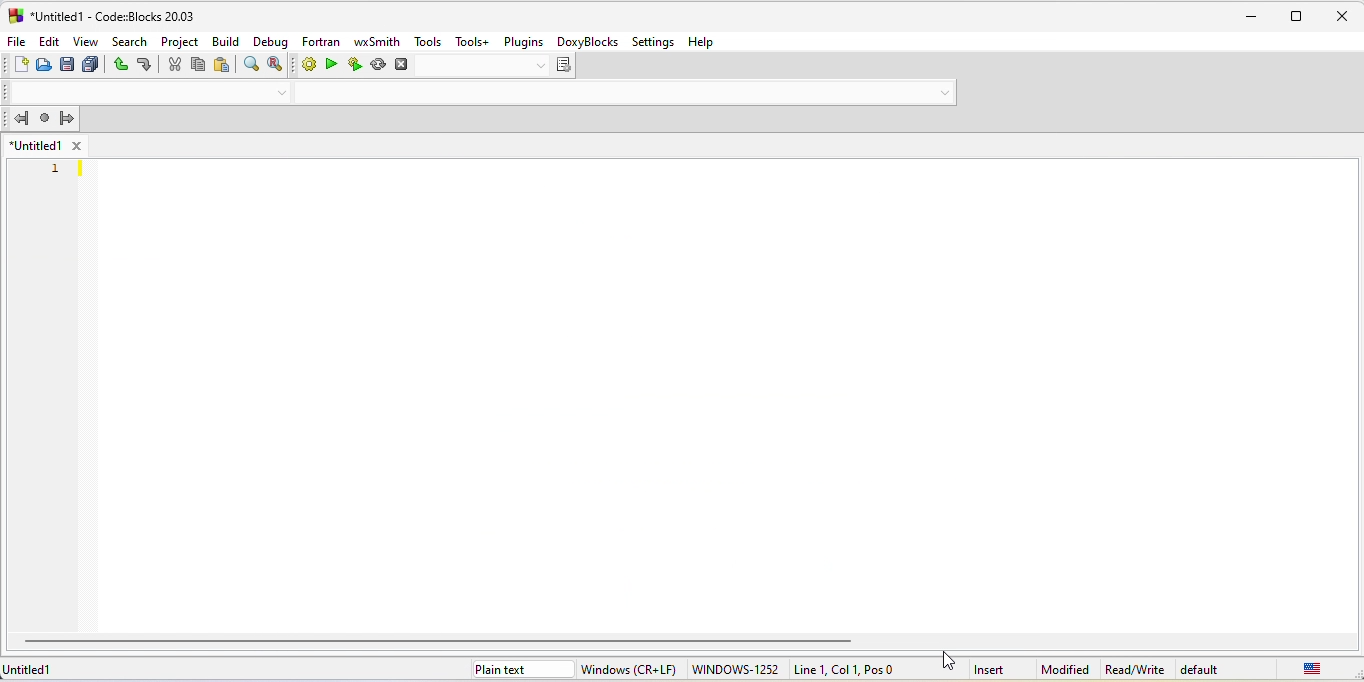 The width and height of the screenshot is (1364, 682). Describe the element at coordinates (378, 64) in the screenshot. I see `rebuild` at that location.